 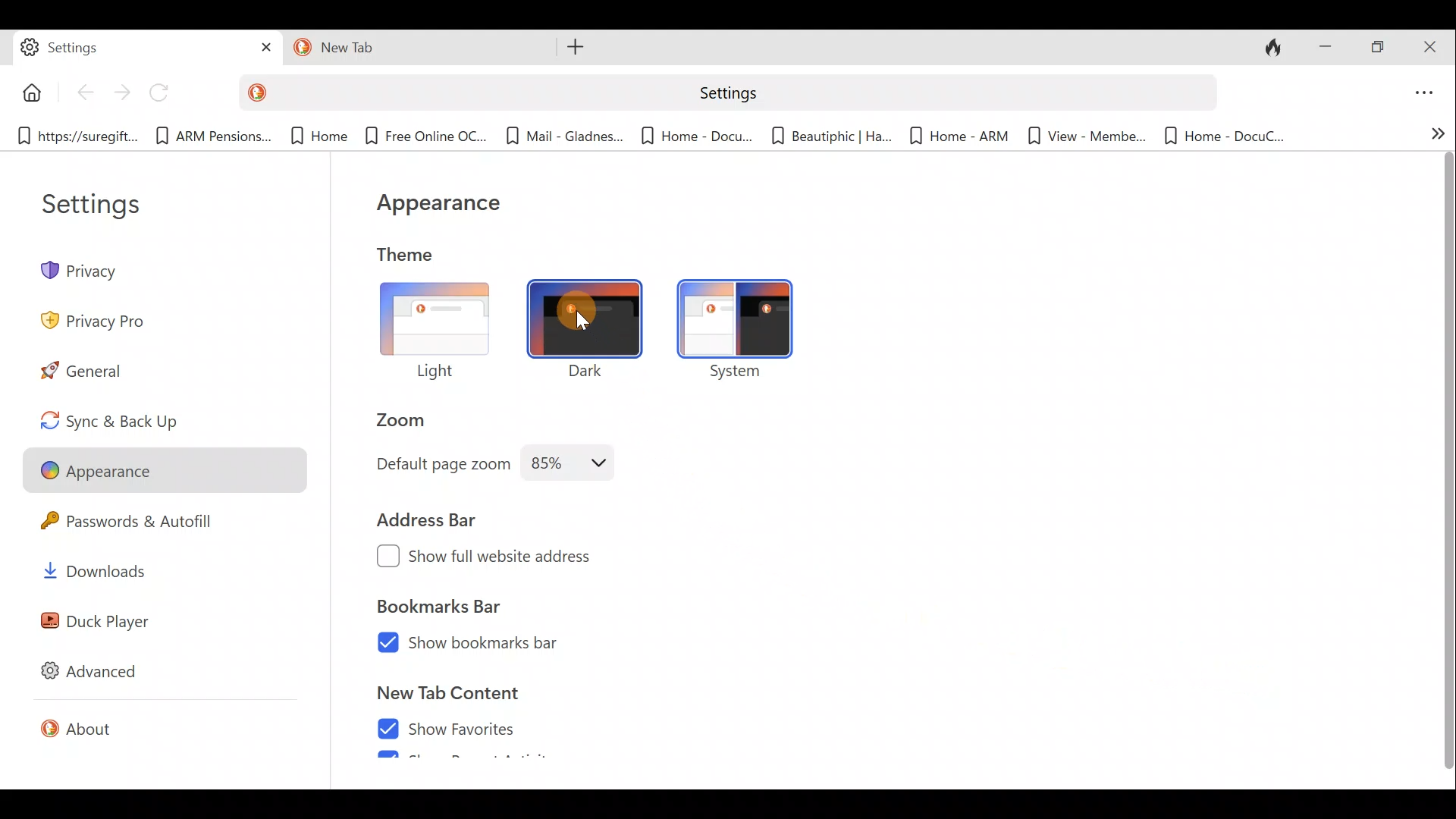 I want to click on Bookmark 9, so click(x=1084, y=140).